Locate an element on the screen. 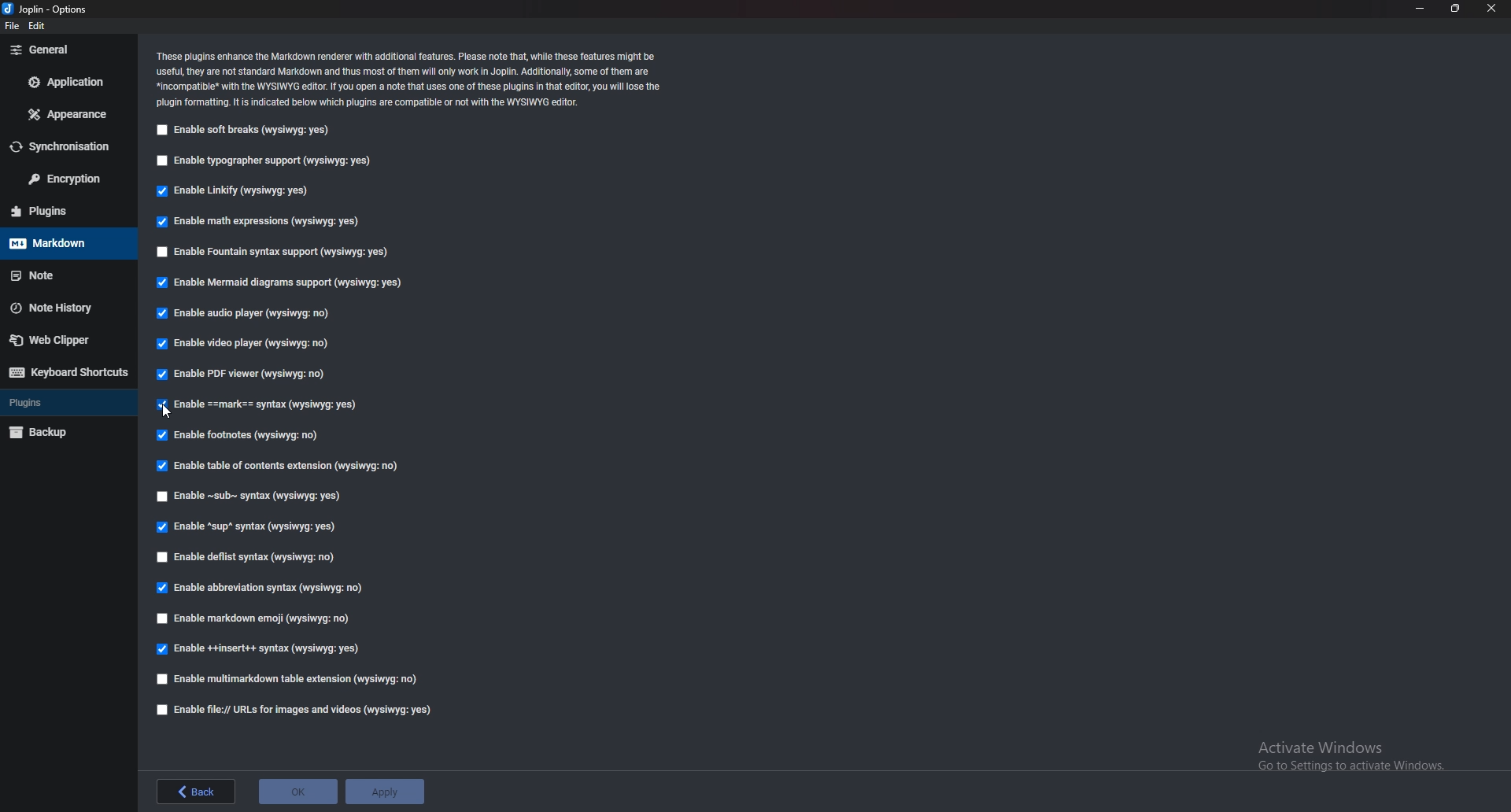 The width and height of the screenshot is (1511, 812). apply is located at coordinates (382, 790).